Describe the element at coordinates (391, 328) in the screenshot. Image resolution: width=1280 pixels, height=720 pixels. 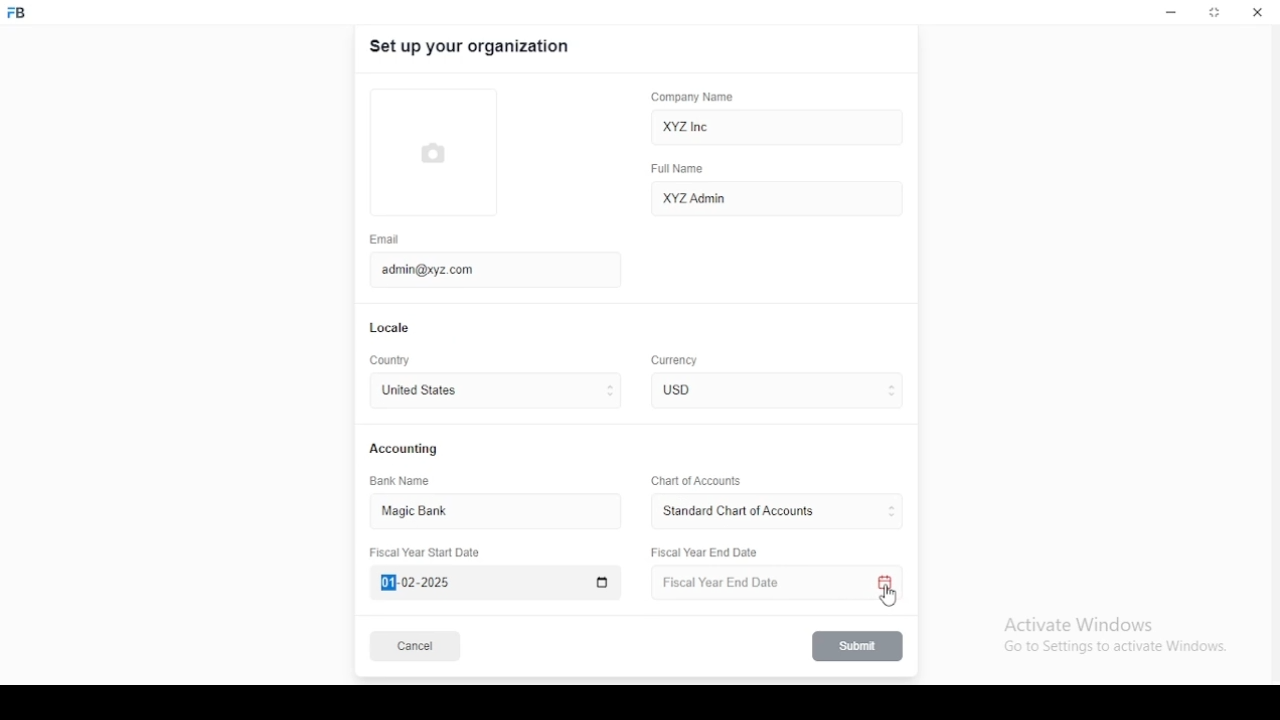
I see `locale` at that location.